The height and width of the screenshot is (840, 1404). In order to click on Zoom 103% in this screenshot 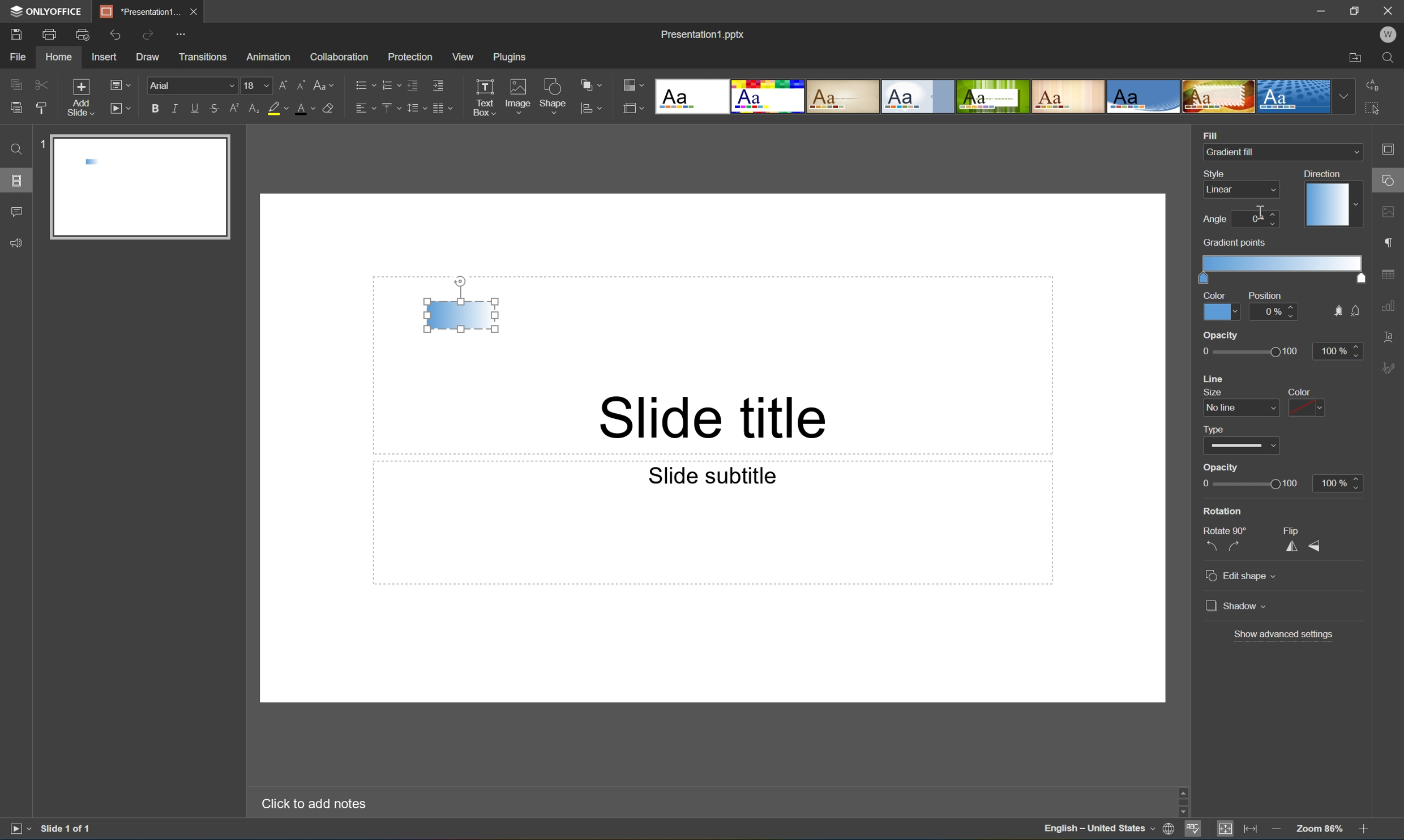, I will do `click(1321, 830)`.